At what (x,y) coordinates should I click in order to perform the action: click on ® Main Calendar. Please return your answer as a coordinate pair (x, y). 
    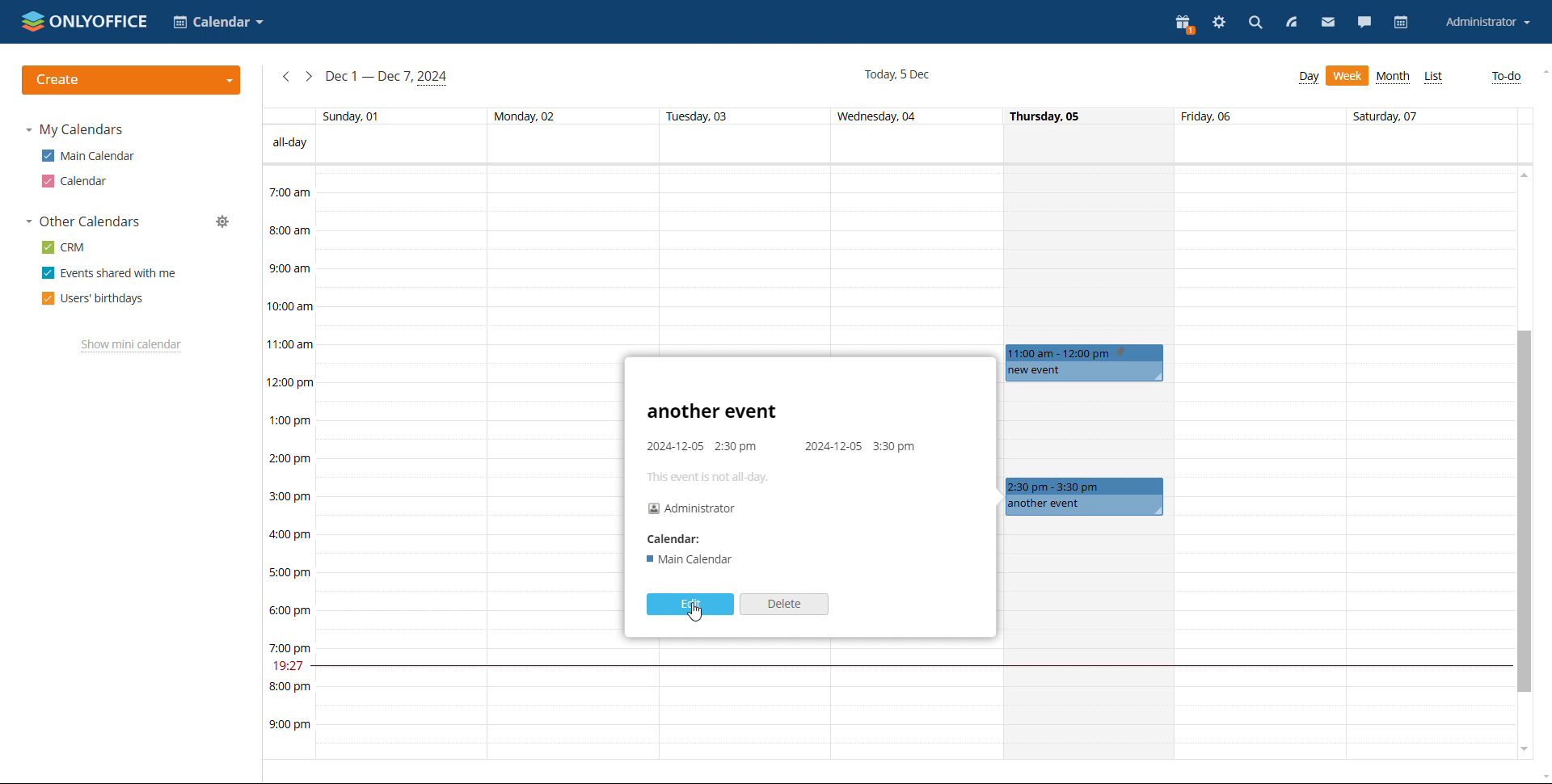
    Looking at the image, I should click on (694, 558).